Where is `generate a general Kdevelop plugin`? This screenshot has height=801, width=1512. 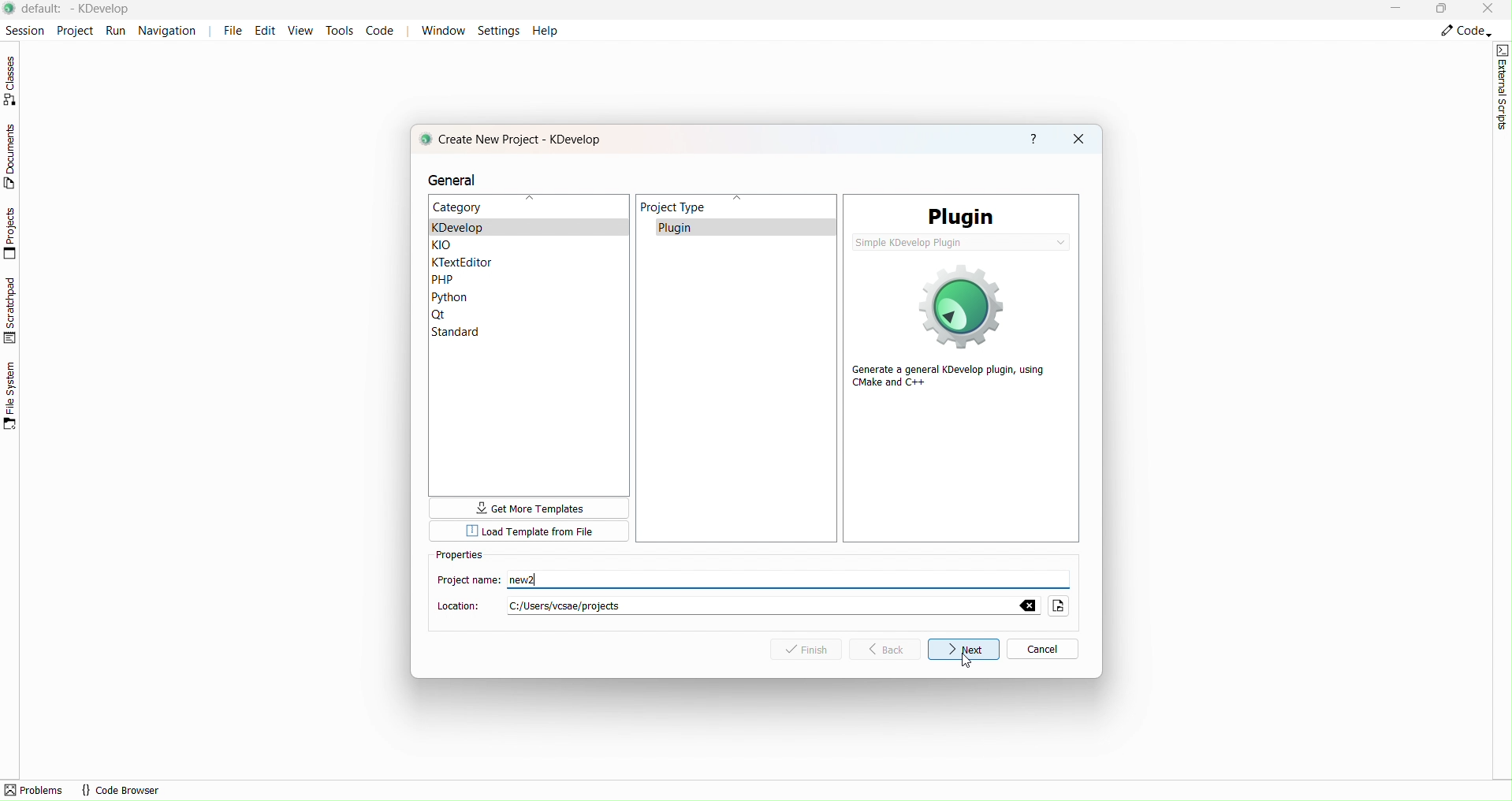 generate a general Kdevelop plugin is located at coordinates (954, 329).